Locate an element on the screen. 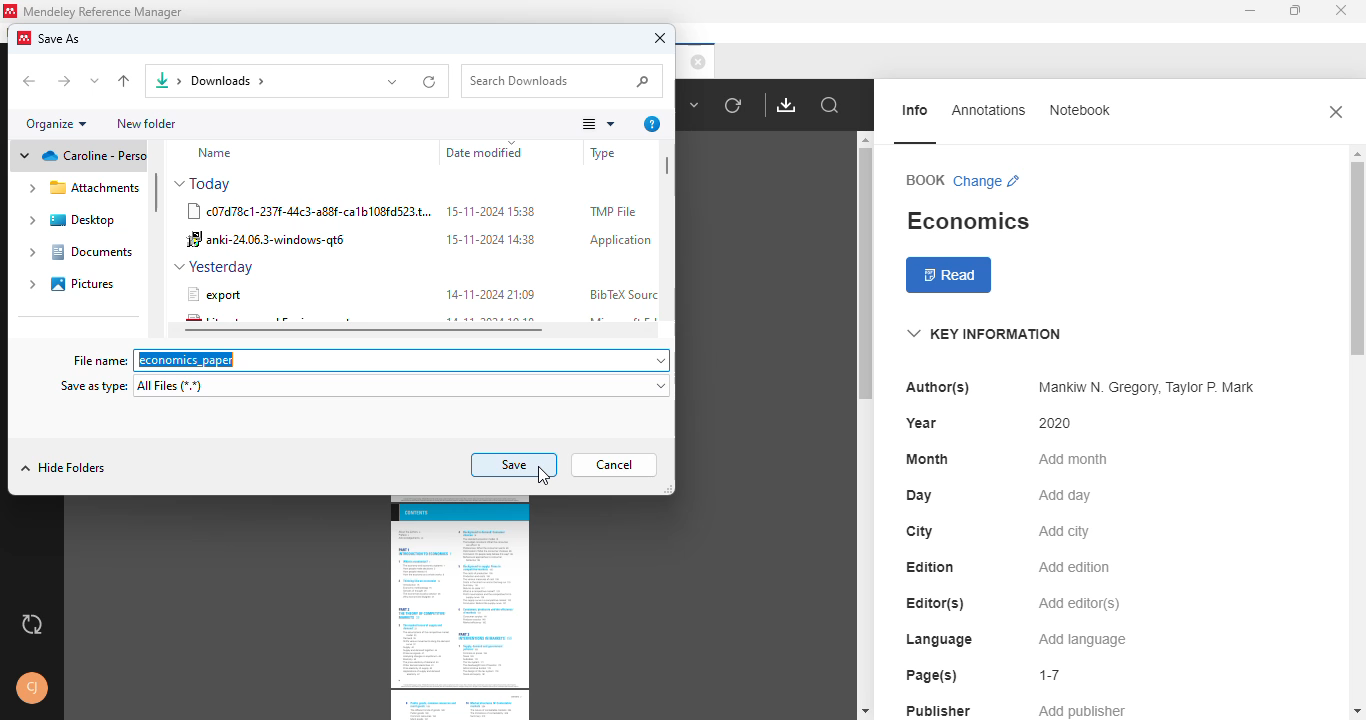 This screenshot has height=720, width=1366. recent downloads is located at coordinates (431, 81).